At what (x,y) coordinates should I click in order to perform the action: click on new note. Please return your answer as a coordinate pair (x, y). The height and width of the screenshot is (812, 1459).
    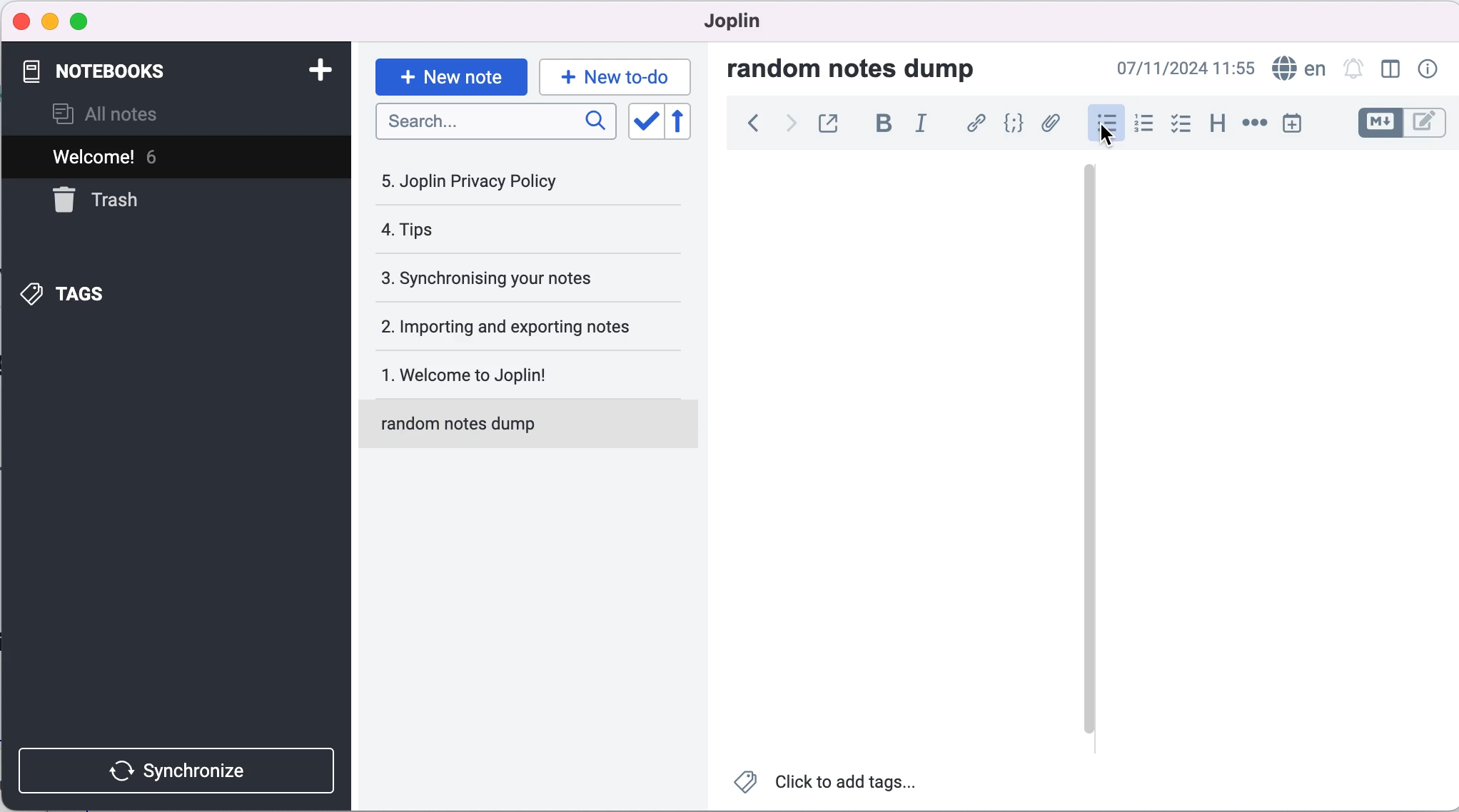
    Looking at the image, I should click on (450, 75).